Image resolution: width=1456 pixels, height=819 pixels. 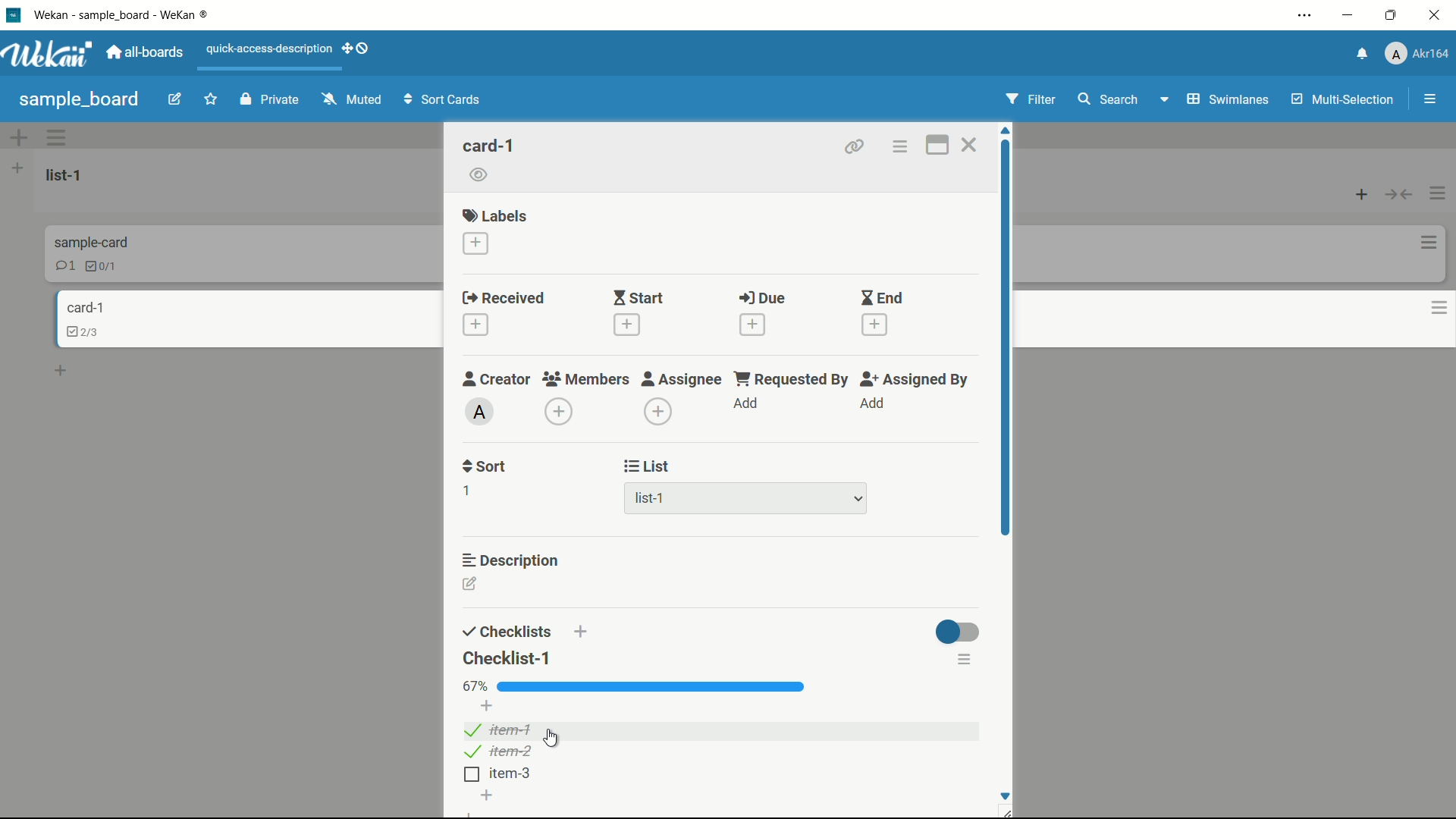 I want to click on checklist, so click(x=80, y=334).